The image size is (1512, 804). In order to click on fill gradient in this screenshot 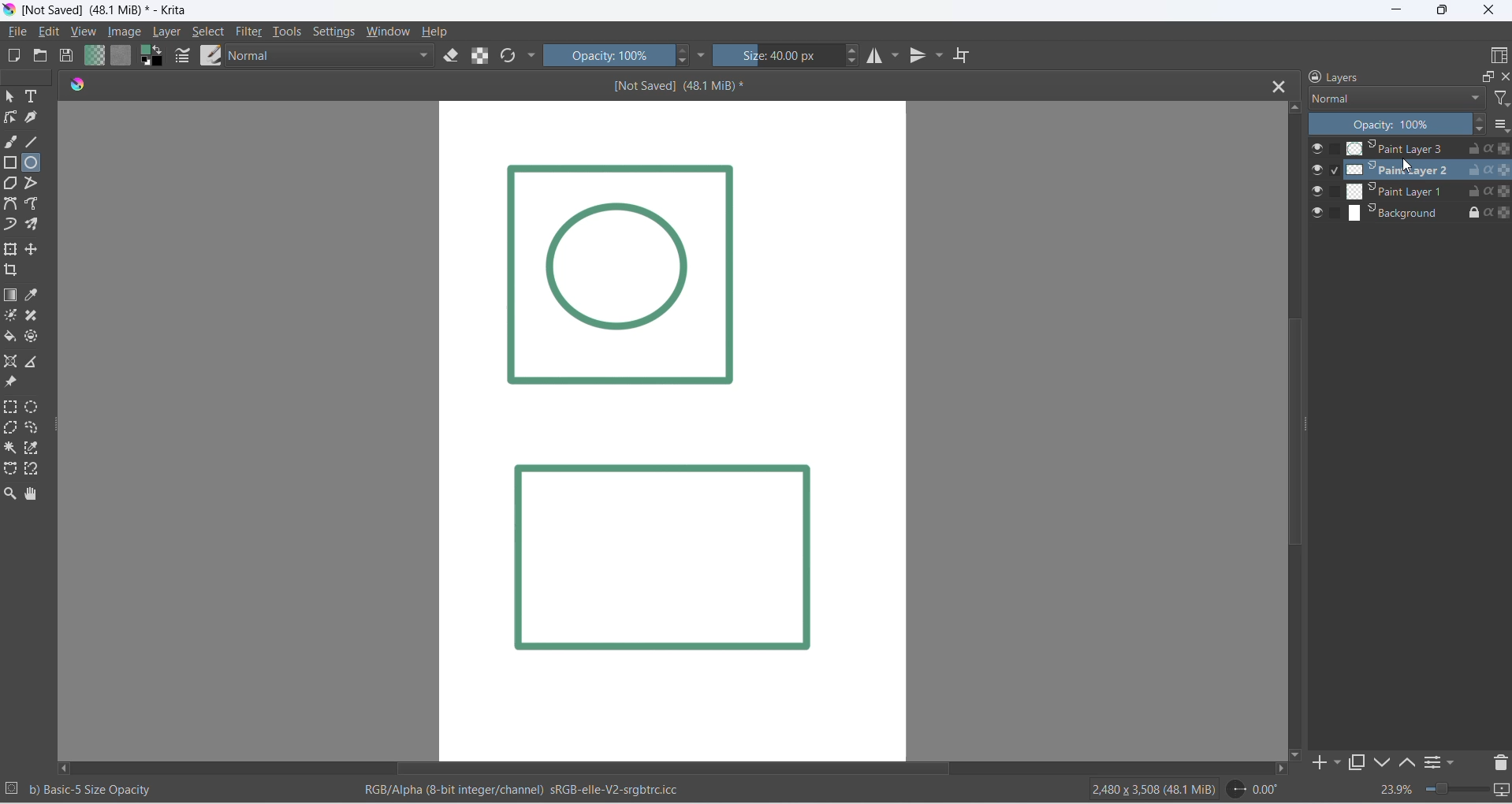, I will do `click(95, 57)`.